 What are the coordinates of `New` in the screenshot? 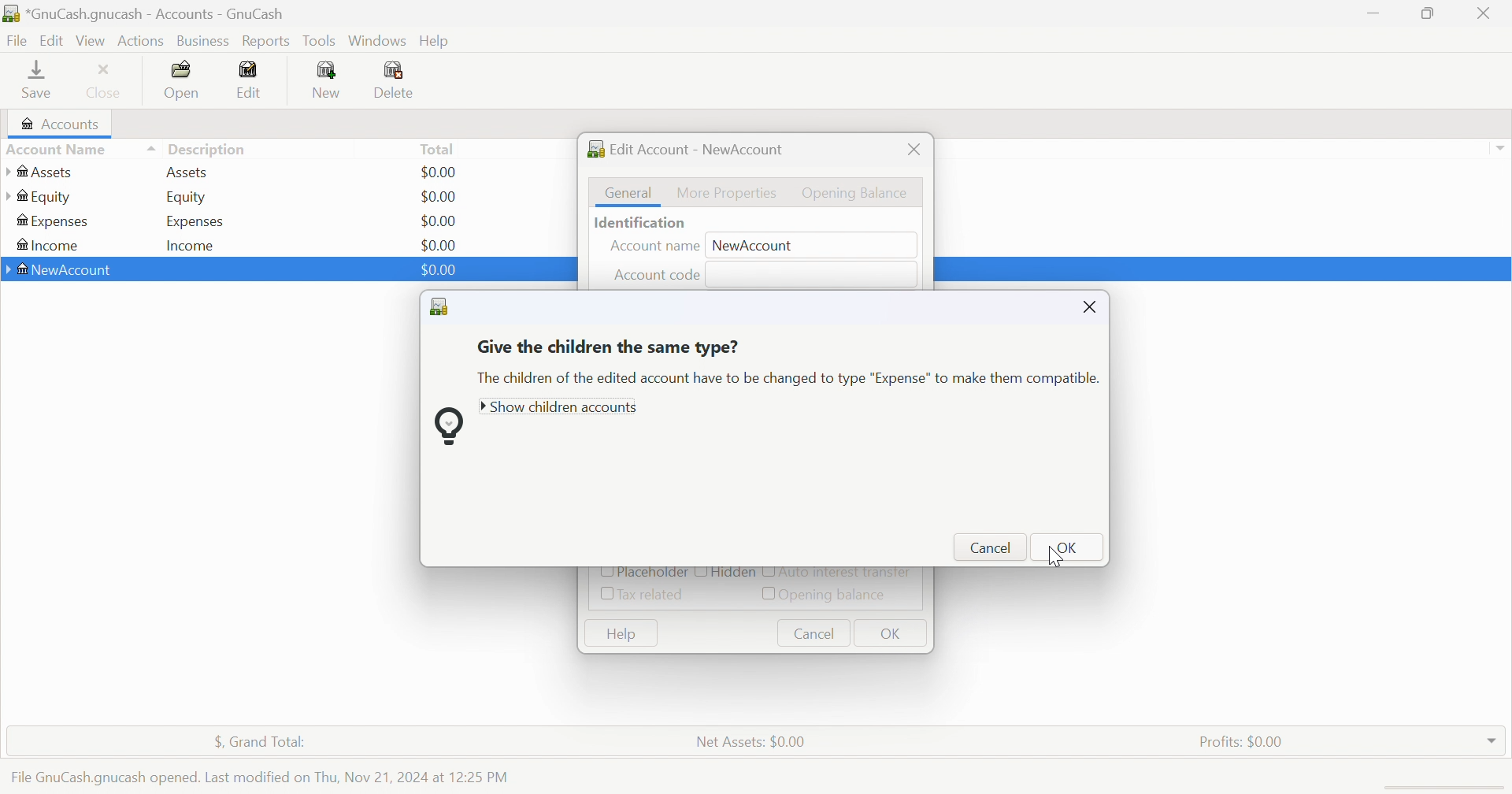 It's located at (325, 79).